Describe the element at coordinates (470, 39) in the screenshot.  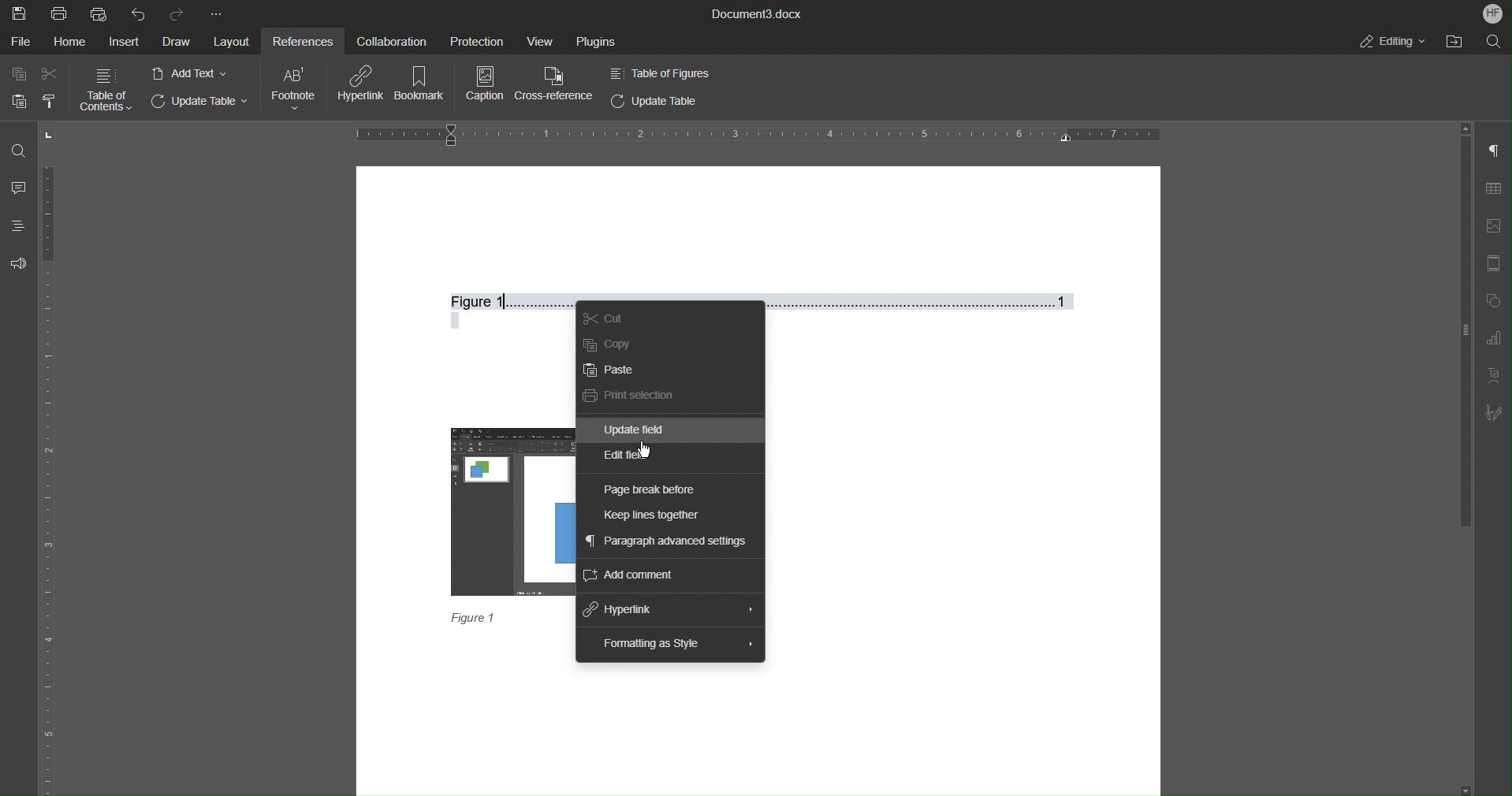
I see `Protection` at that location.